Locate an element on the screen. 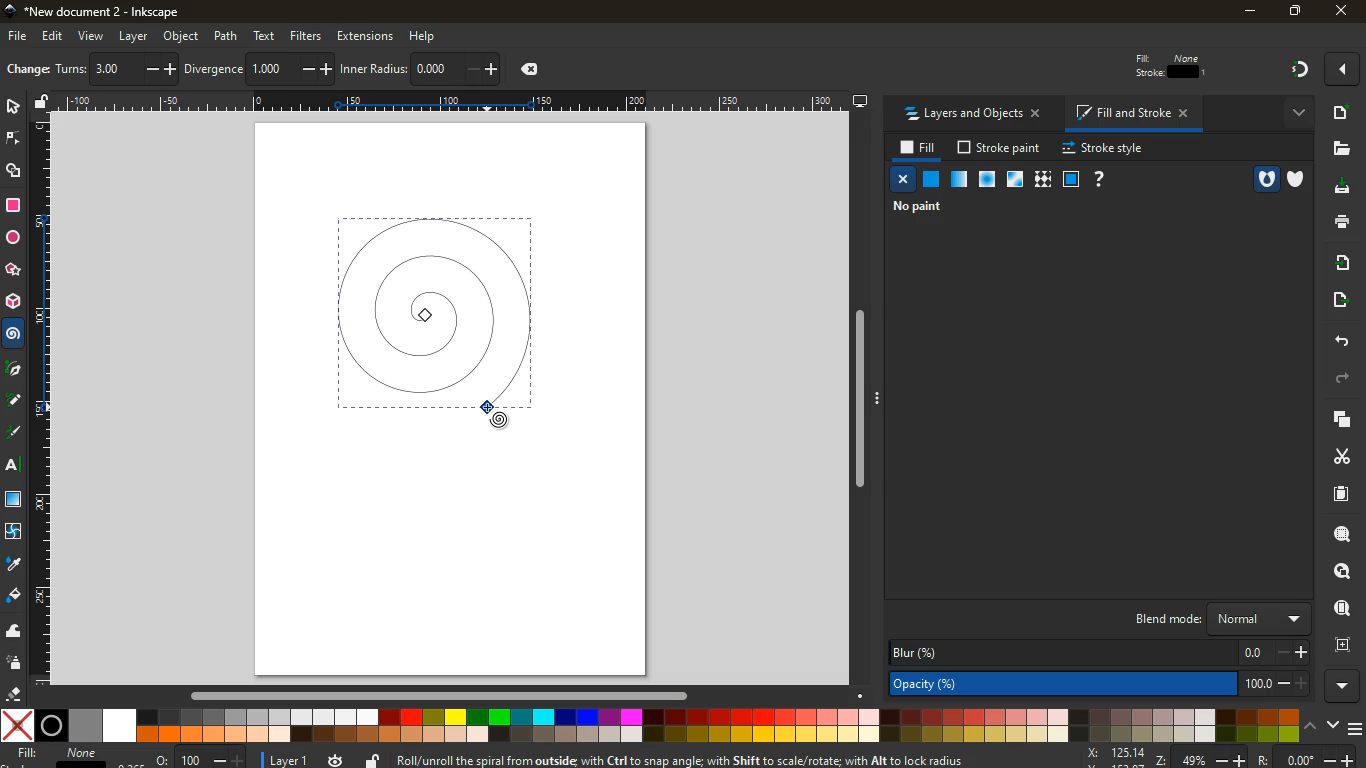  opacity is located at coordinates (1097, 683).